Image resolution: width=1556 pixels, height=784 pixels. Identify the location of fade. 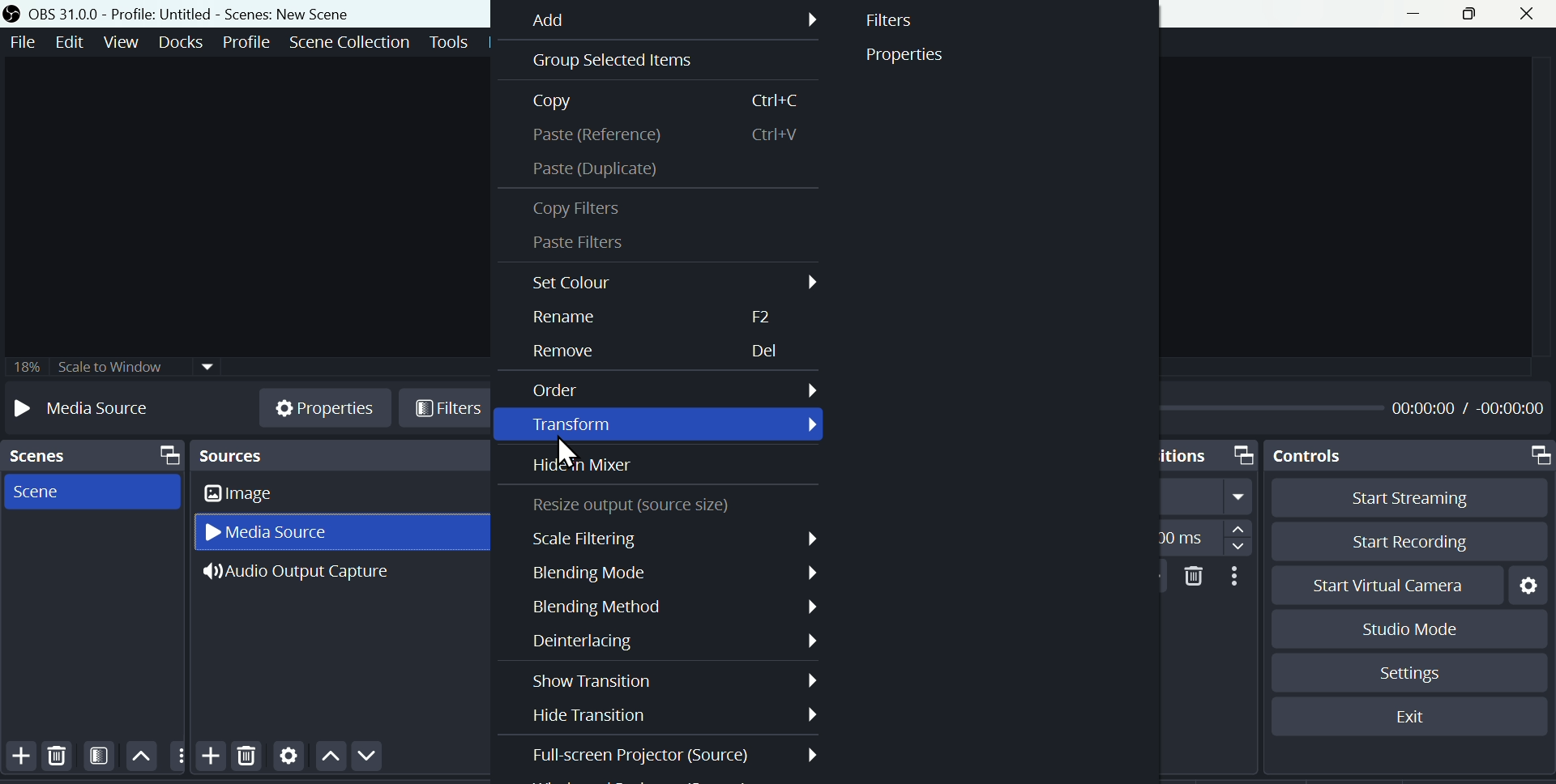
(1210, 497).